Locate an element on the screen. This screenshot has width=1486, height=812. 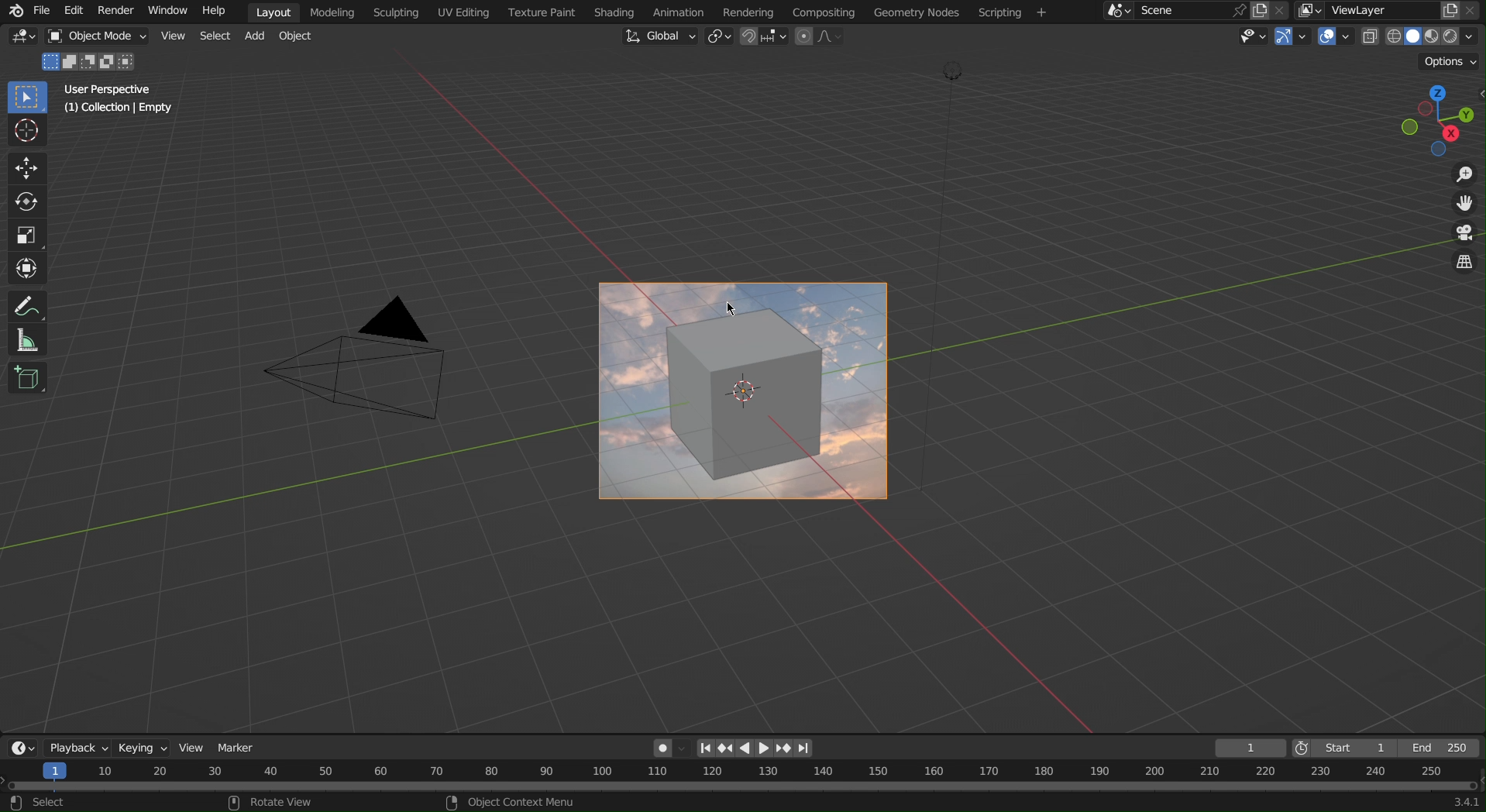
Global is located at coordinates (659, 37).